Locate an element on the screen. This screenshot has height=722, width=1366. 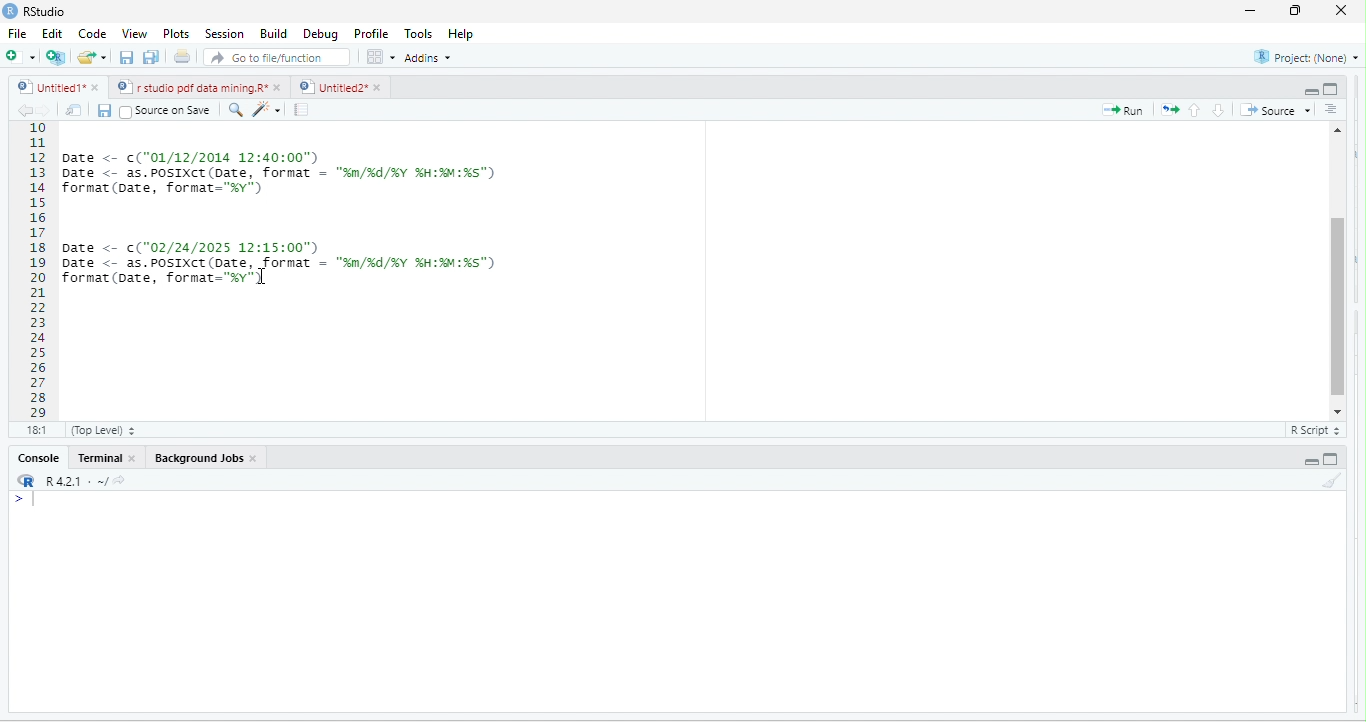
© | r studio pdf data mining.R* is located at coordinates (193, 88).